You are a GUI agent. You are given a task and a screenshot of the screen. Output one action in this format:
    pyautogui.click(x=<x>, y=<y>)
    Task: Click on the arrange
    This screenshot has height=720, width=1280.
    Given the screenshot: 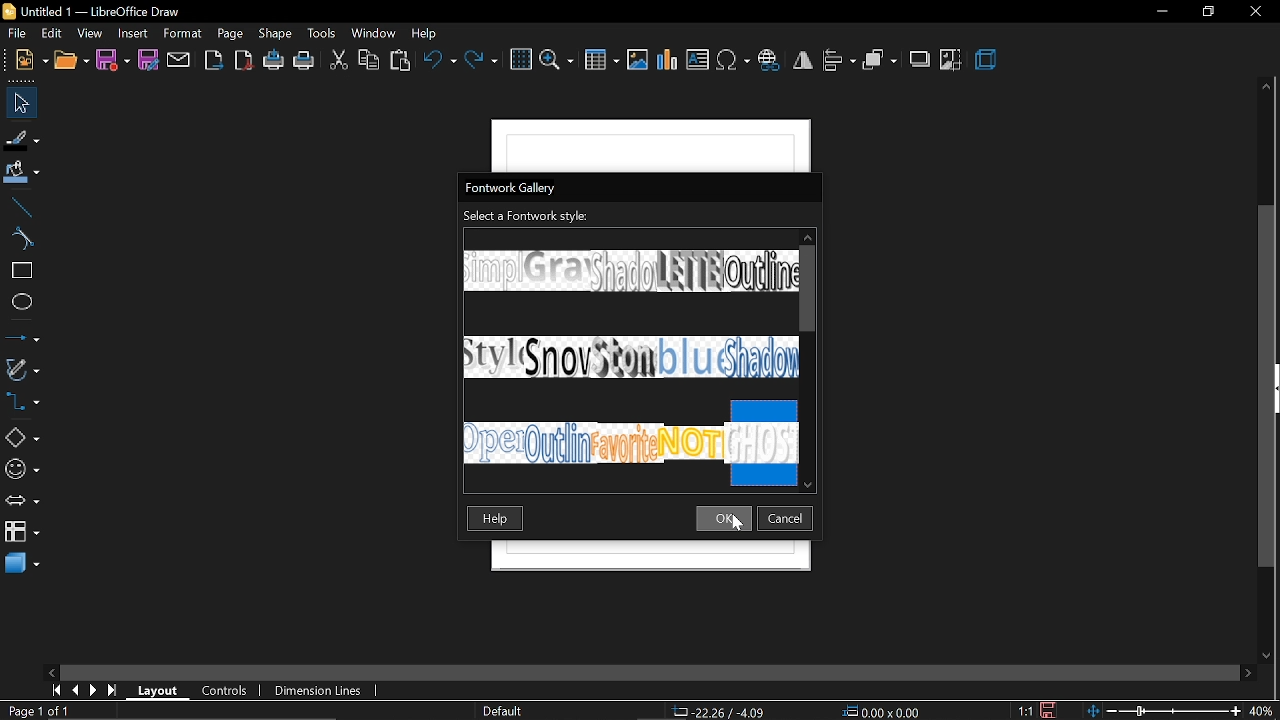 What is the action you would take?
    pyautogui.click(x=880, y=61)
    